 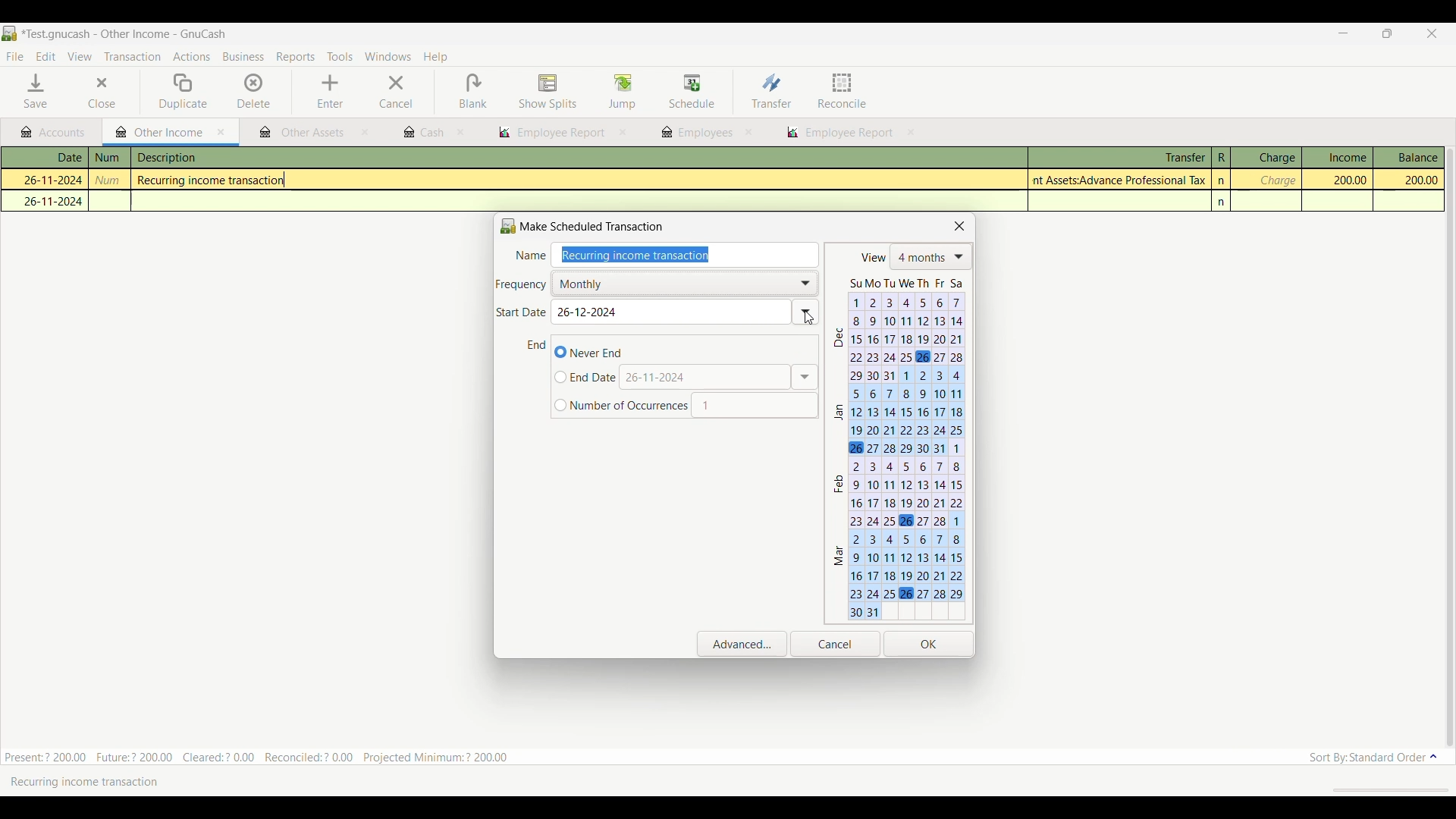 I want to click on Close current tab, so click(x=221, y=133).